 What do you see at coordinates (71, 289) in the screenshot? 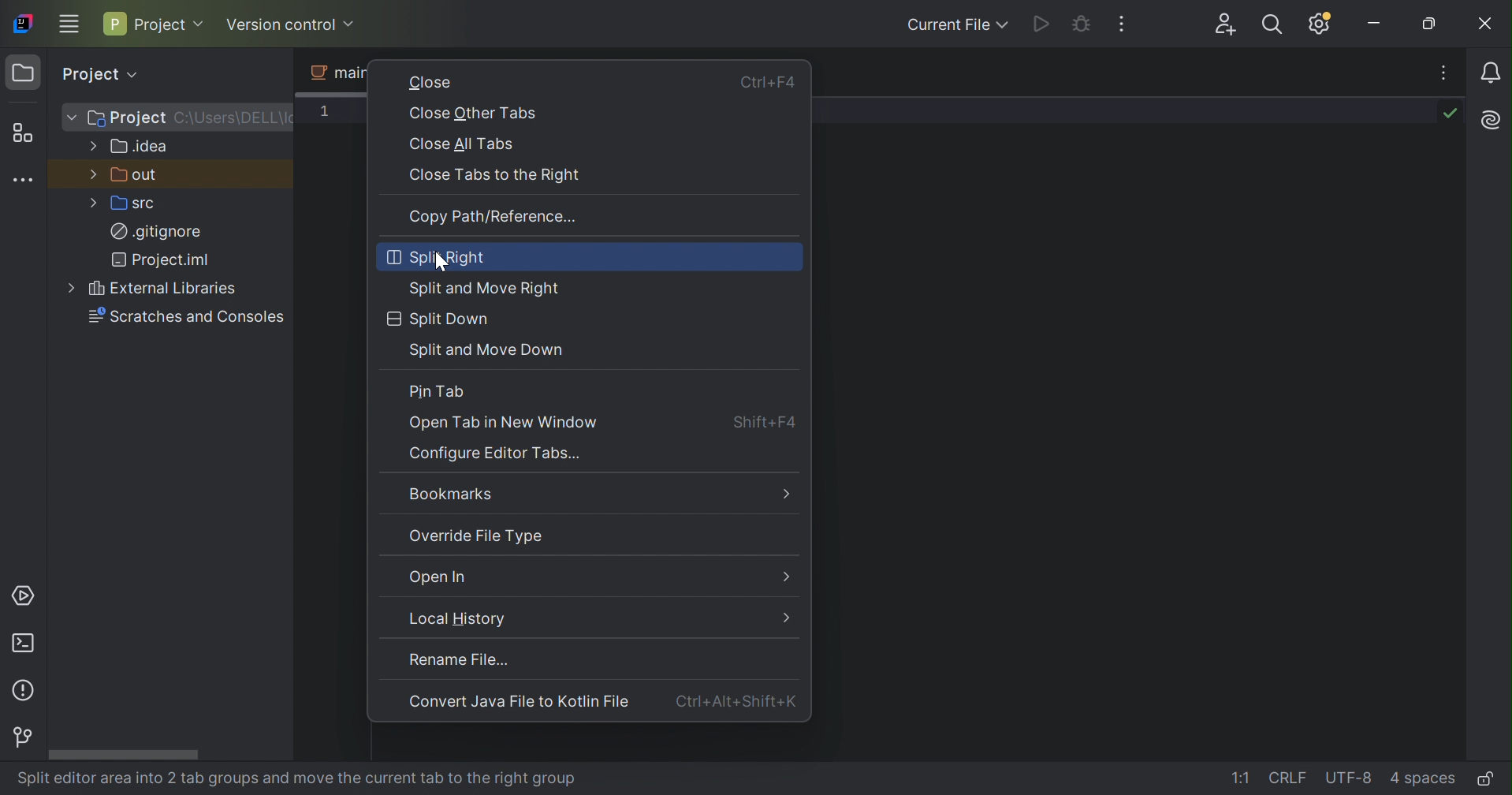
I see `More` at bounding box center [71, 289].